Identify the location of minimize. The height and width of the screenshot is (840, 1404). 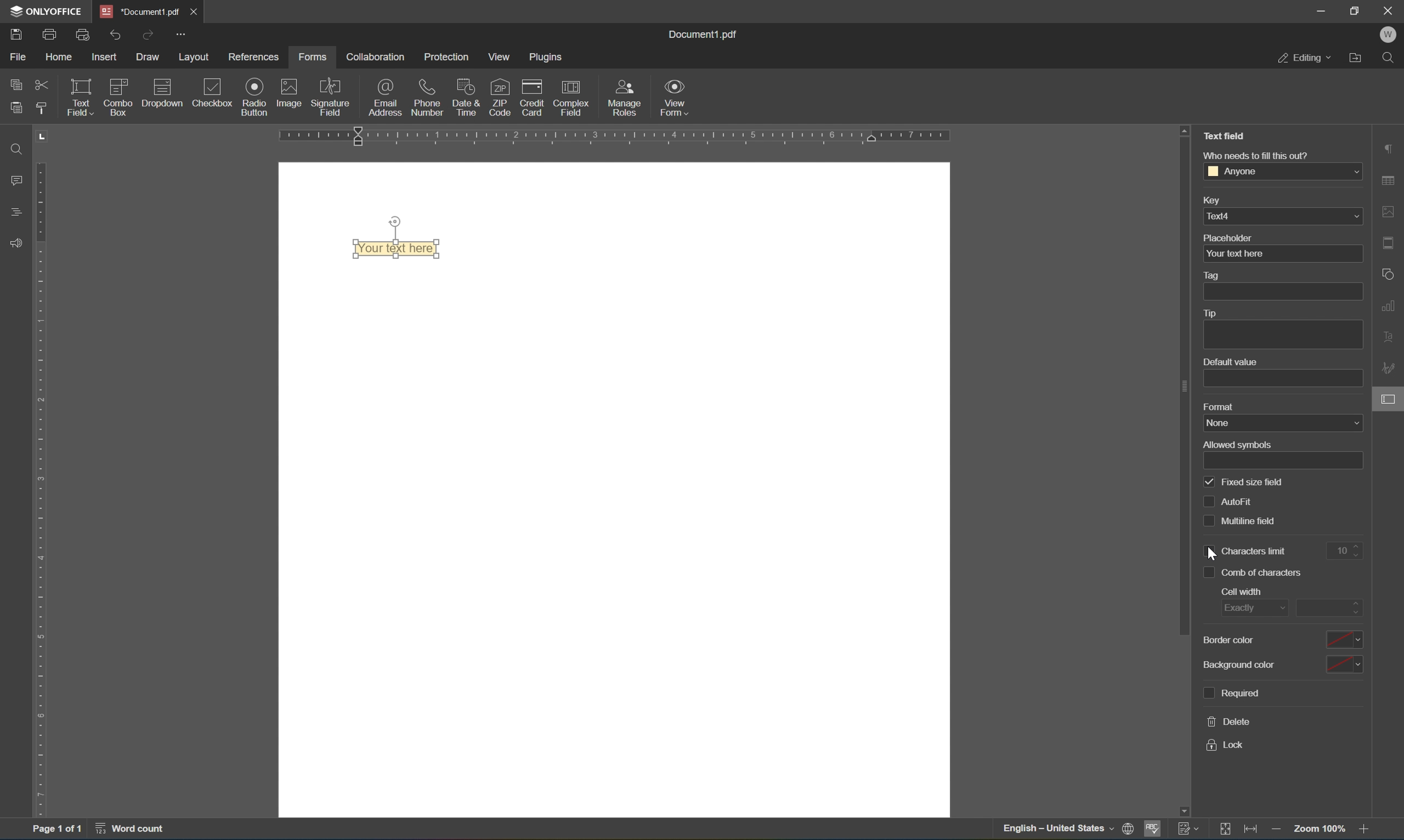
(1315, 10).